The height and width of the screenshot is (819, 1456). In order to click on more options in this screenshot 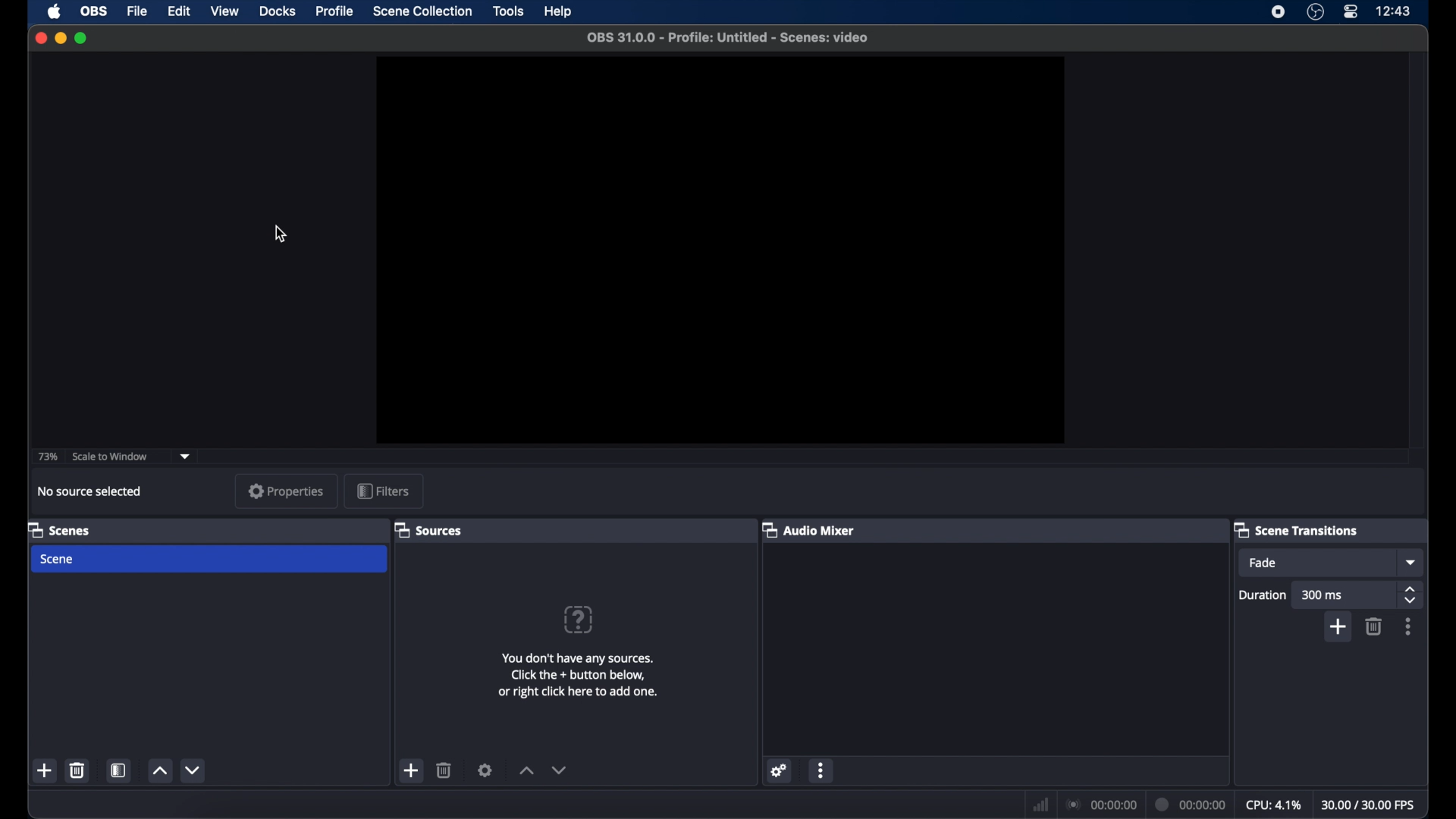, I will do `click(1410, 626)`.